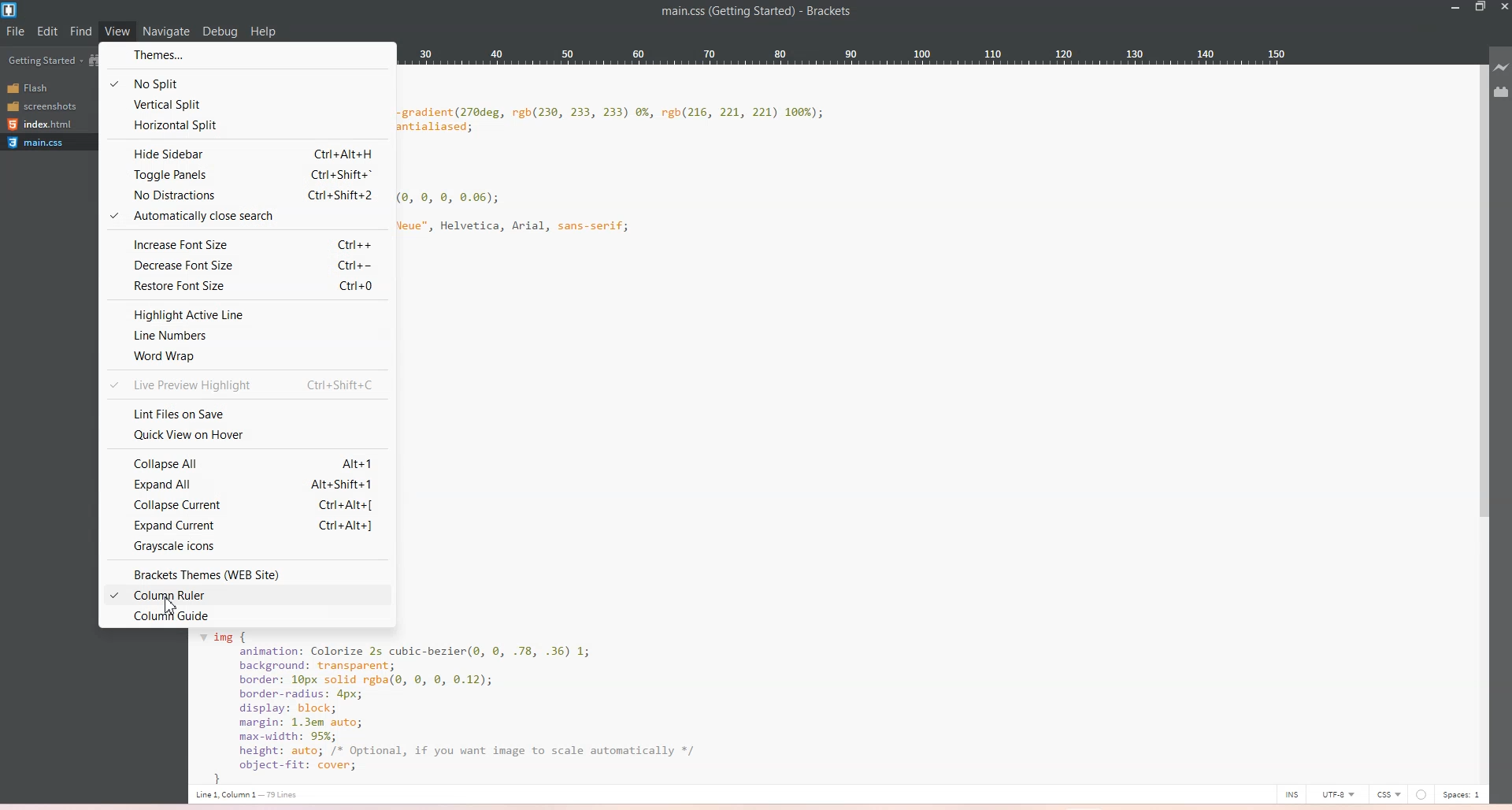 This screenshot has height=810, width=1512. I want to click on Themes, so click(248, 55).